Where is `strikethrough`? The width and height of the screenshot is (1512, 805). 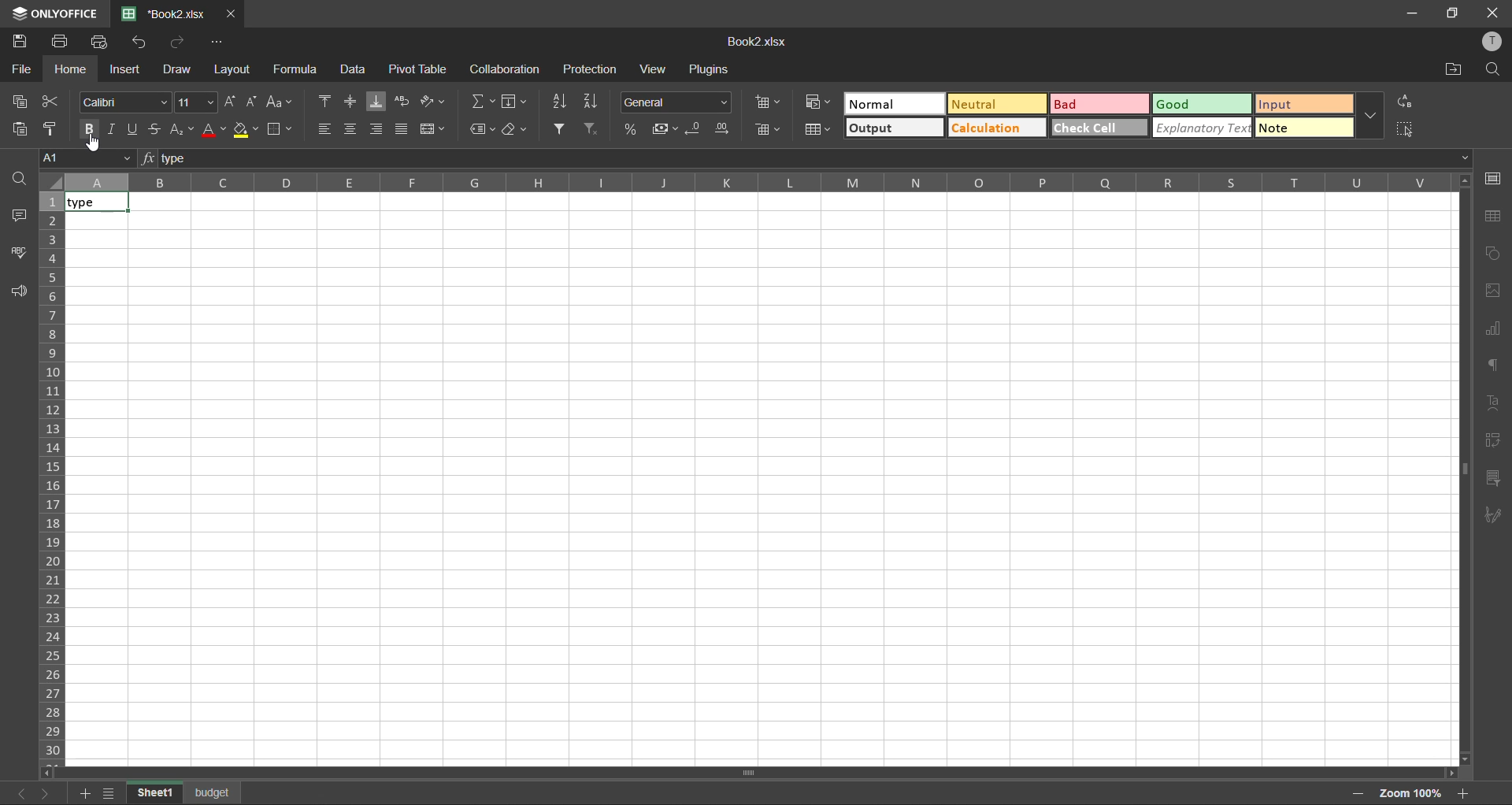 strikethrough is located at coordinates (154, 128).